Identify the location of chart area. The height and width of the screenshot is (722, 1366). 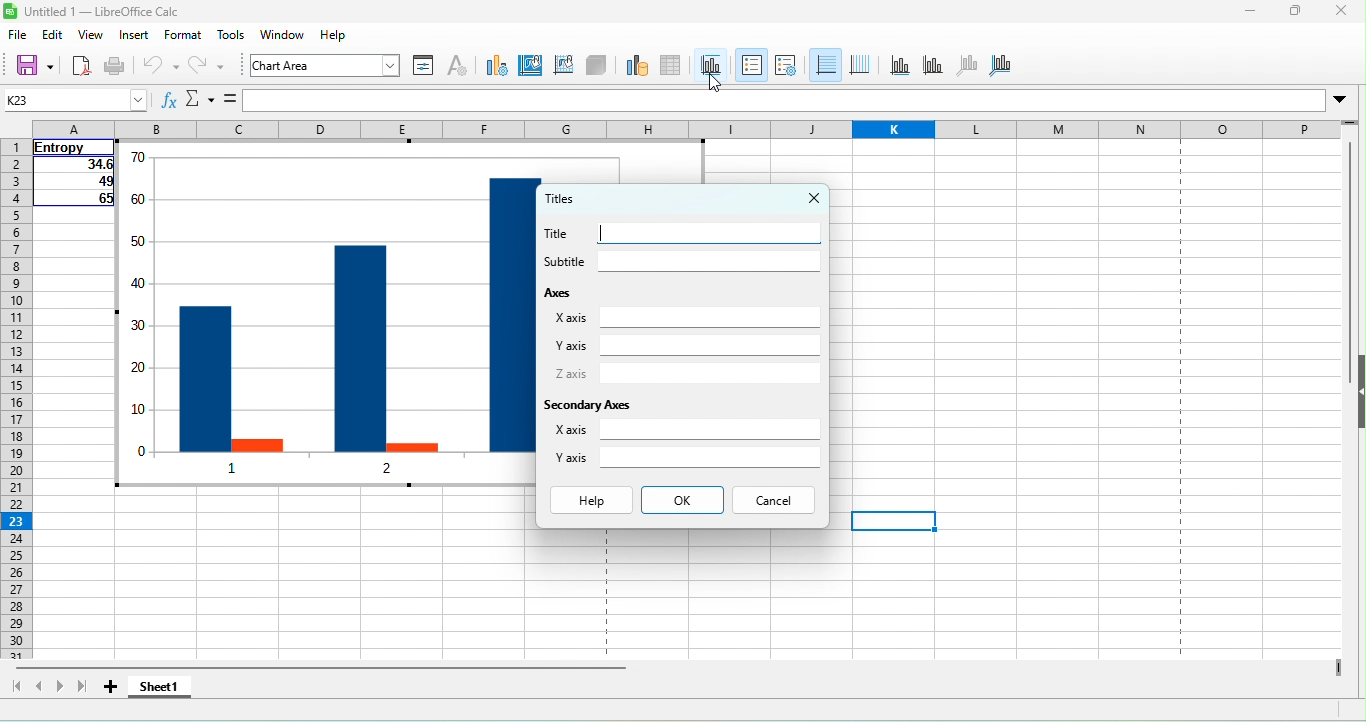
(327, 68).